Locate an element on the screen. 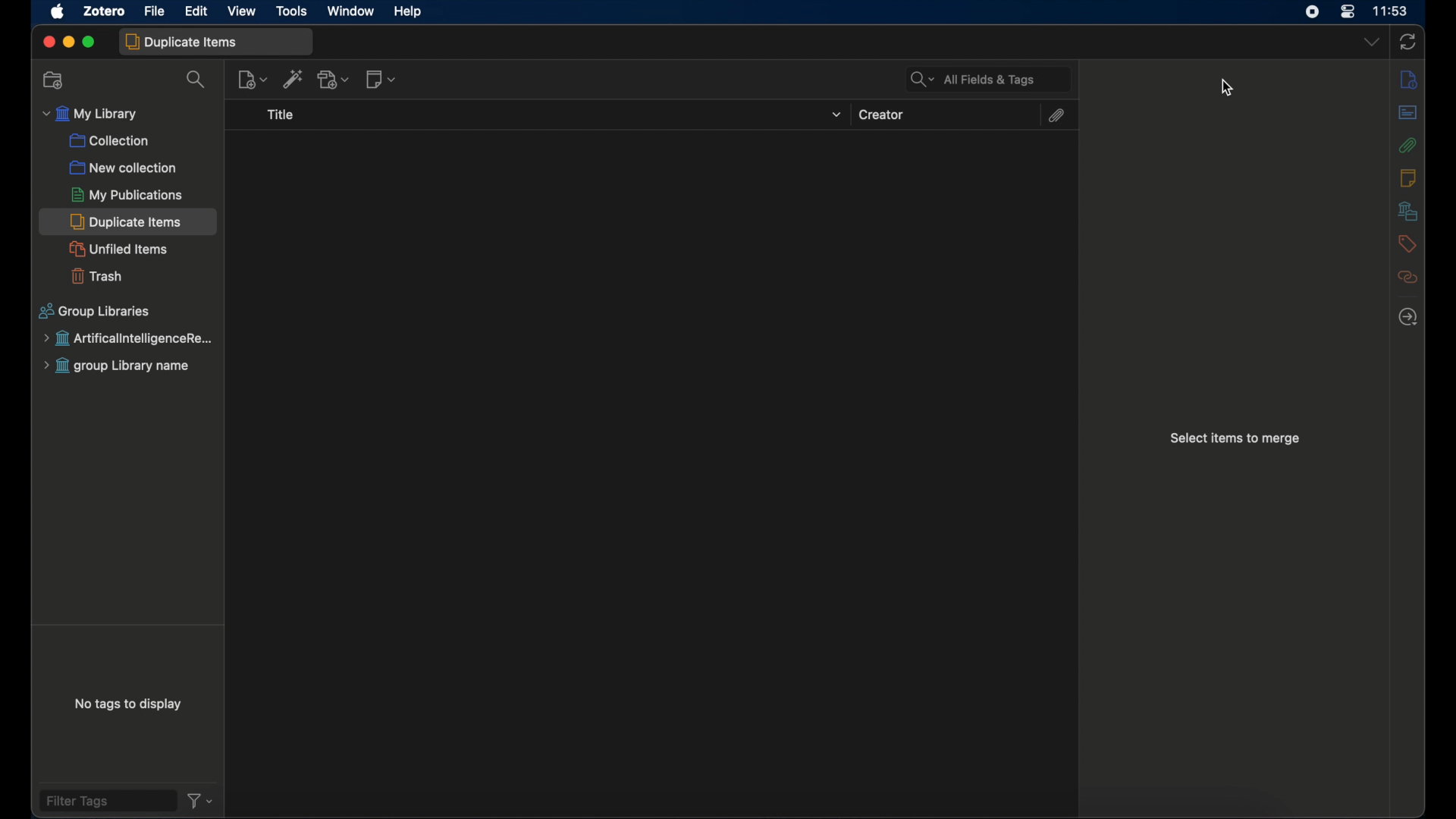 The width and height of the screenshot is (1456, 819). group library is located at coordinates (123, 366).